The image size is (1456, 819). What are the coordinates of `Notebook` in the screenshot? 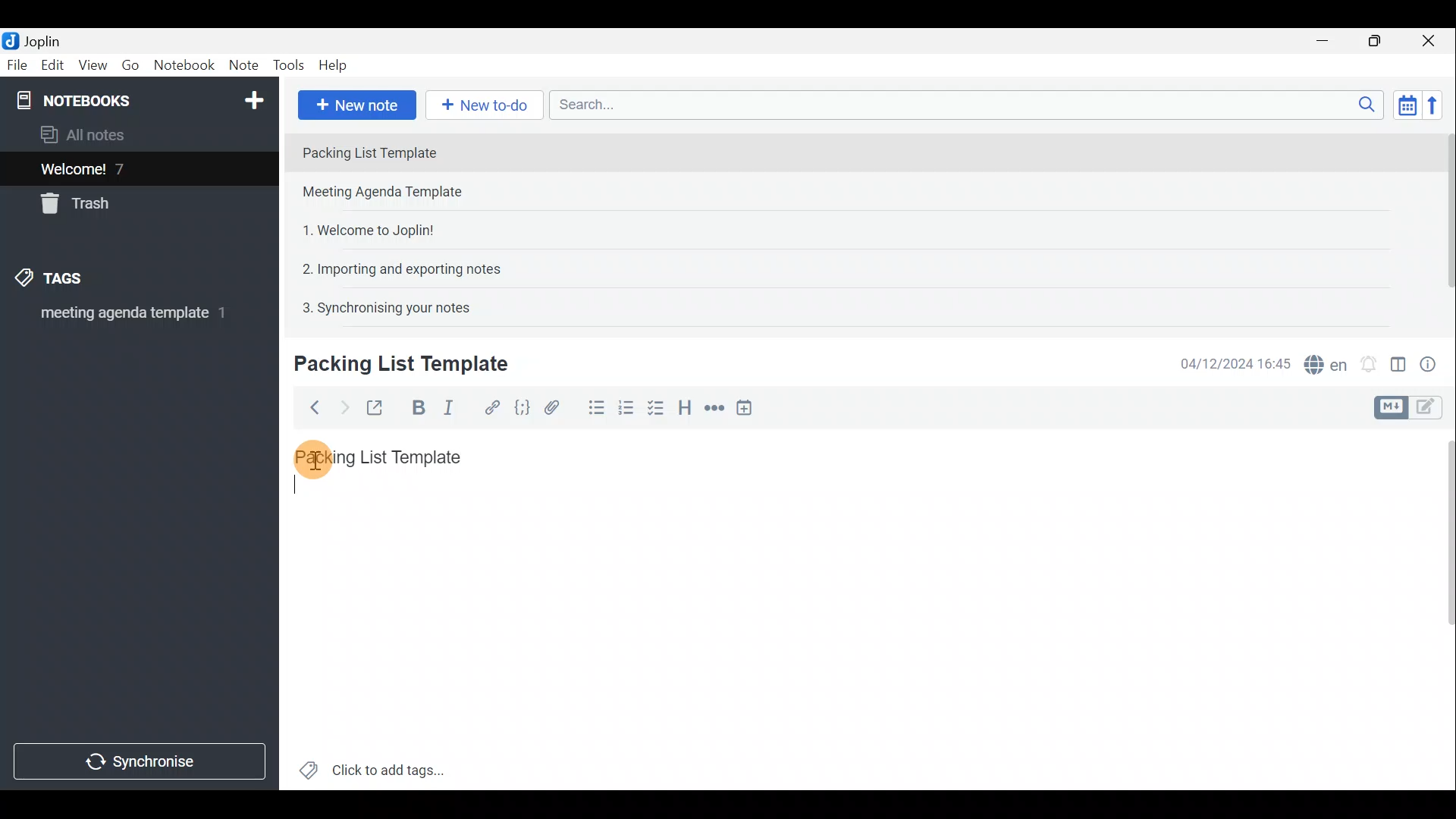 It's located at (137, 99).